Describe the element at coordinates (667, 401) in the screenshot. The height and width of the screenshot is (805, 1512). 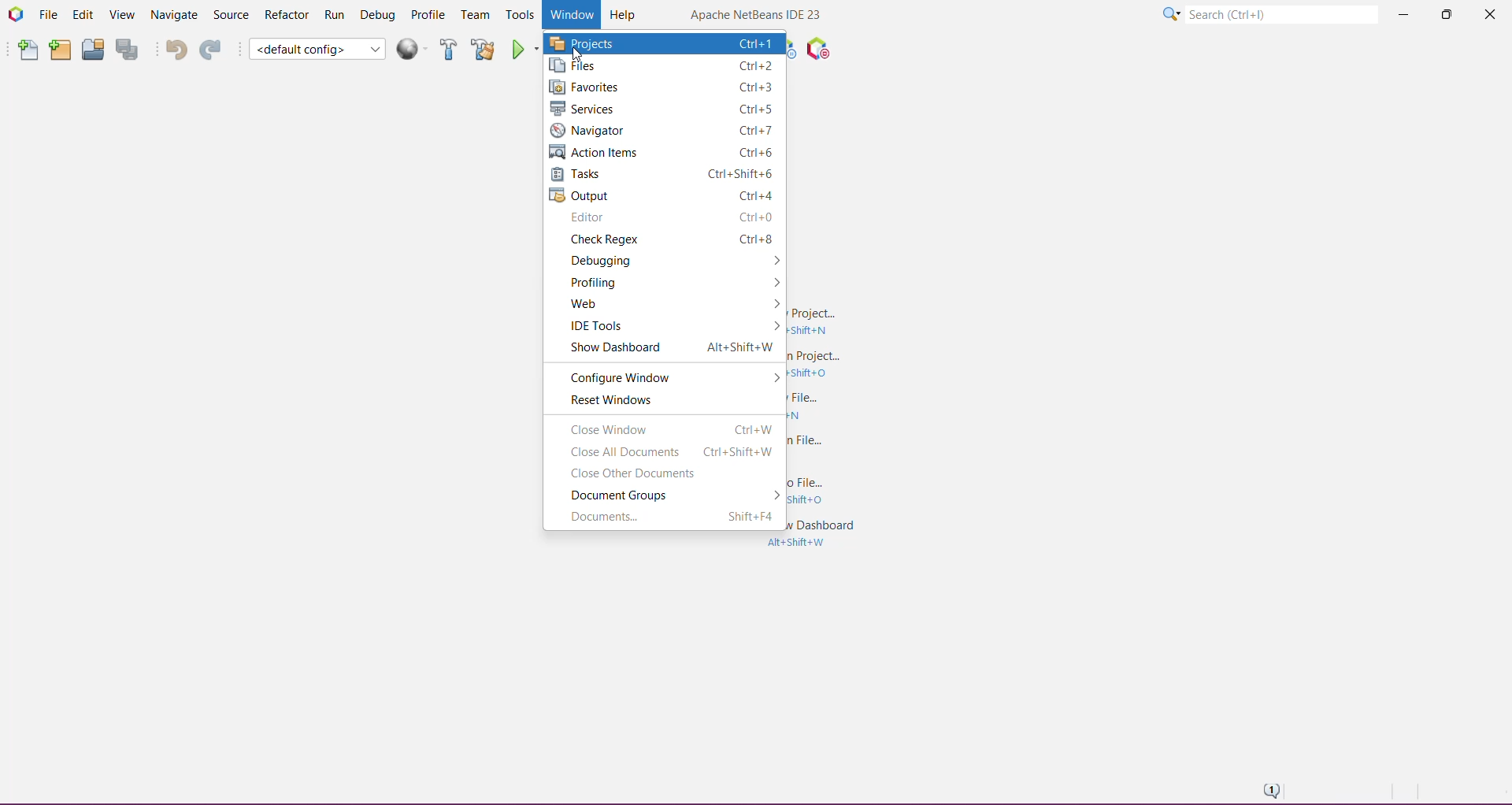
I see `Reset Windows` at that location.